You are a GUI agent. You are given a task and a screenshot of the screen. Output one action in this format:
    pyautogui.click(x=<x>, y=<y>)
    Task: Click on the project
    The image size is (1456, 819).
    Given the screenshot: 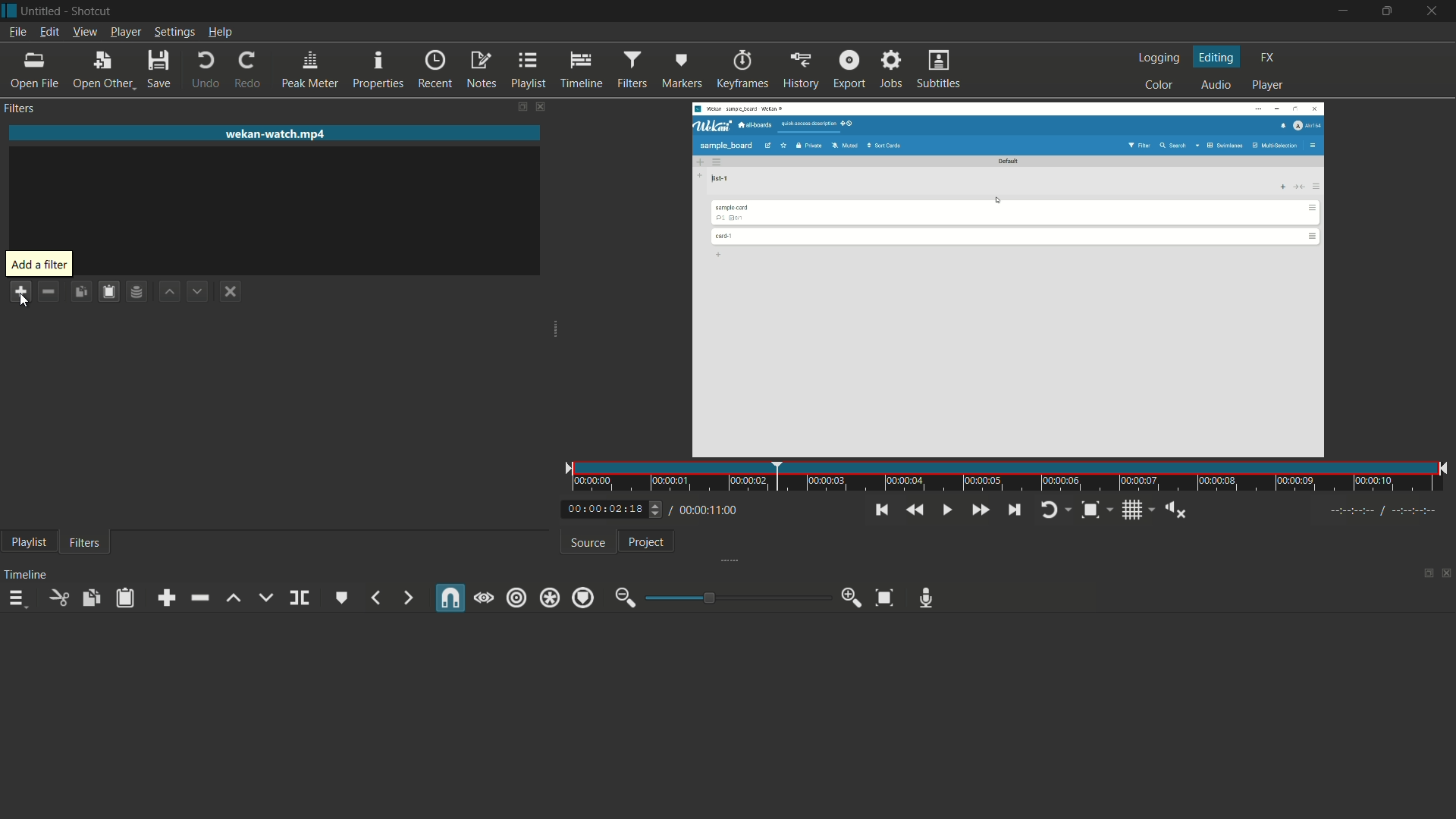 What is the action you would take?
    pyautogui.click(x=648, y=541)
    